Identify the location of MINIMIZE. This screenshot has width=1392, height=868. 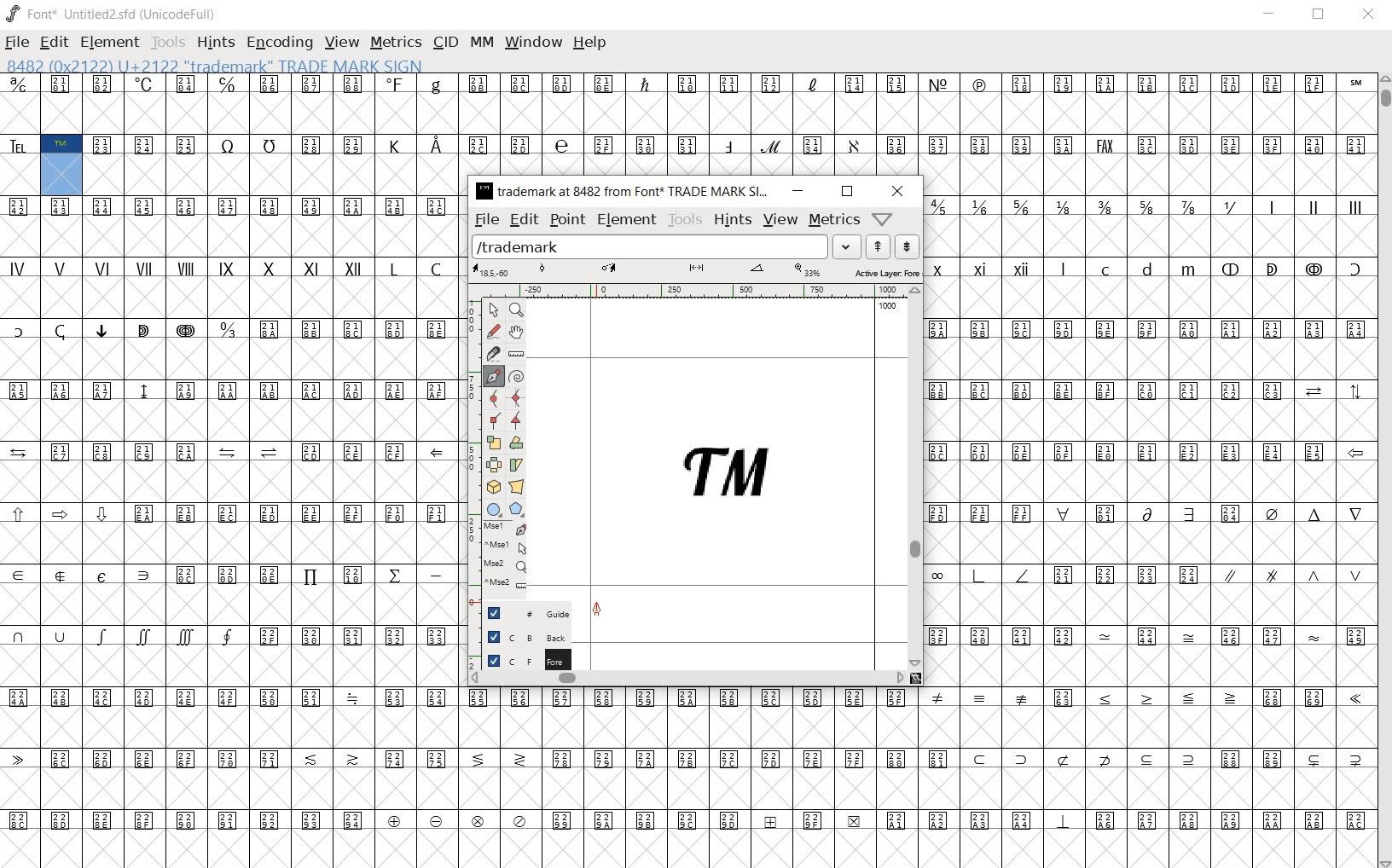
(1269, 13).